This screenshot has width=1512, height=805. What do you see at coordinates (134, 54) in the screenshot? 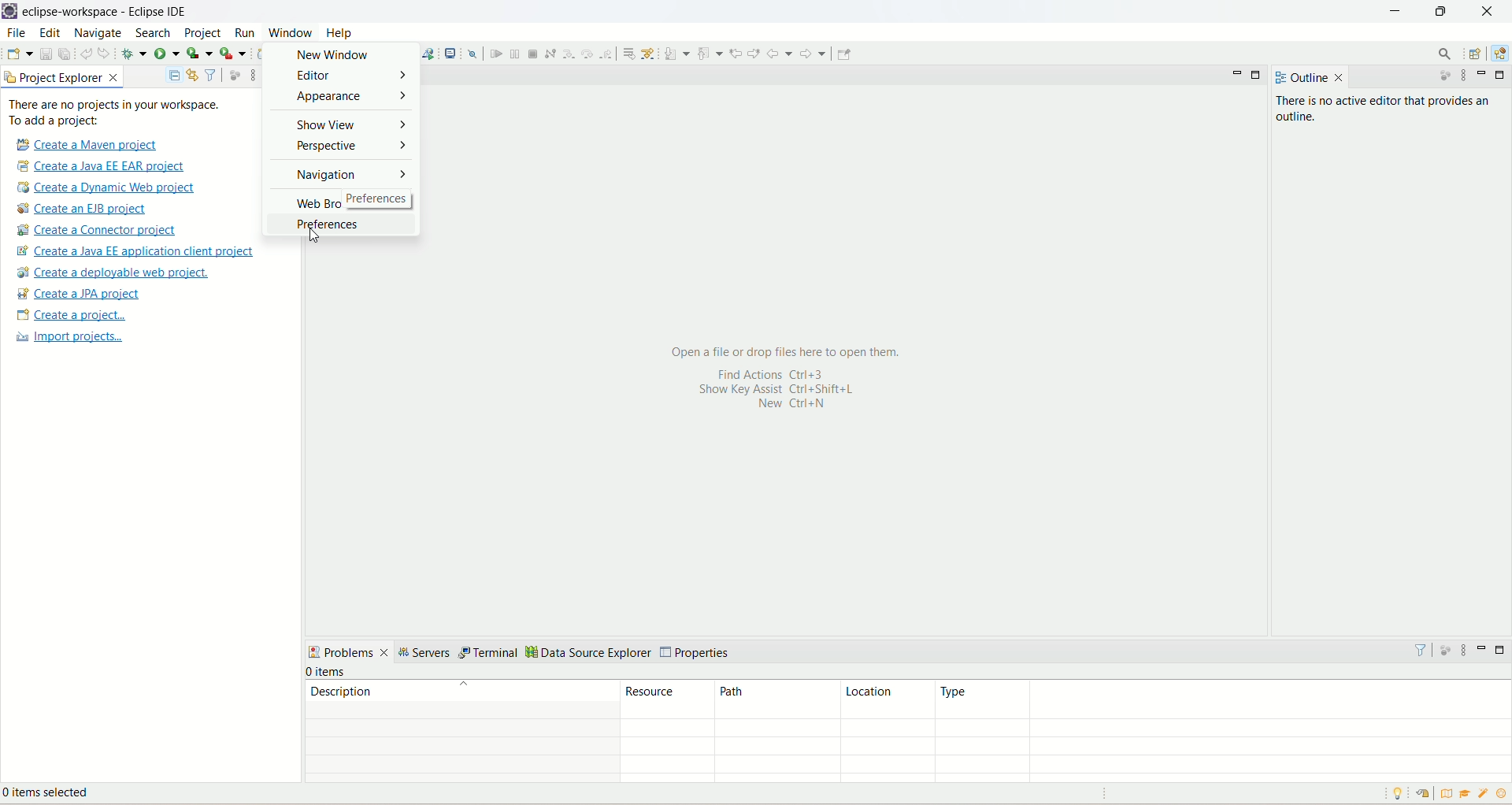
I see `debug` at bounding box center [134, 54].